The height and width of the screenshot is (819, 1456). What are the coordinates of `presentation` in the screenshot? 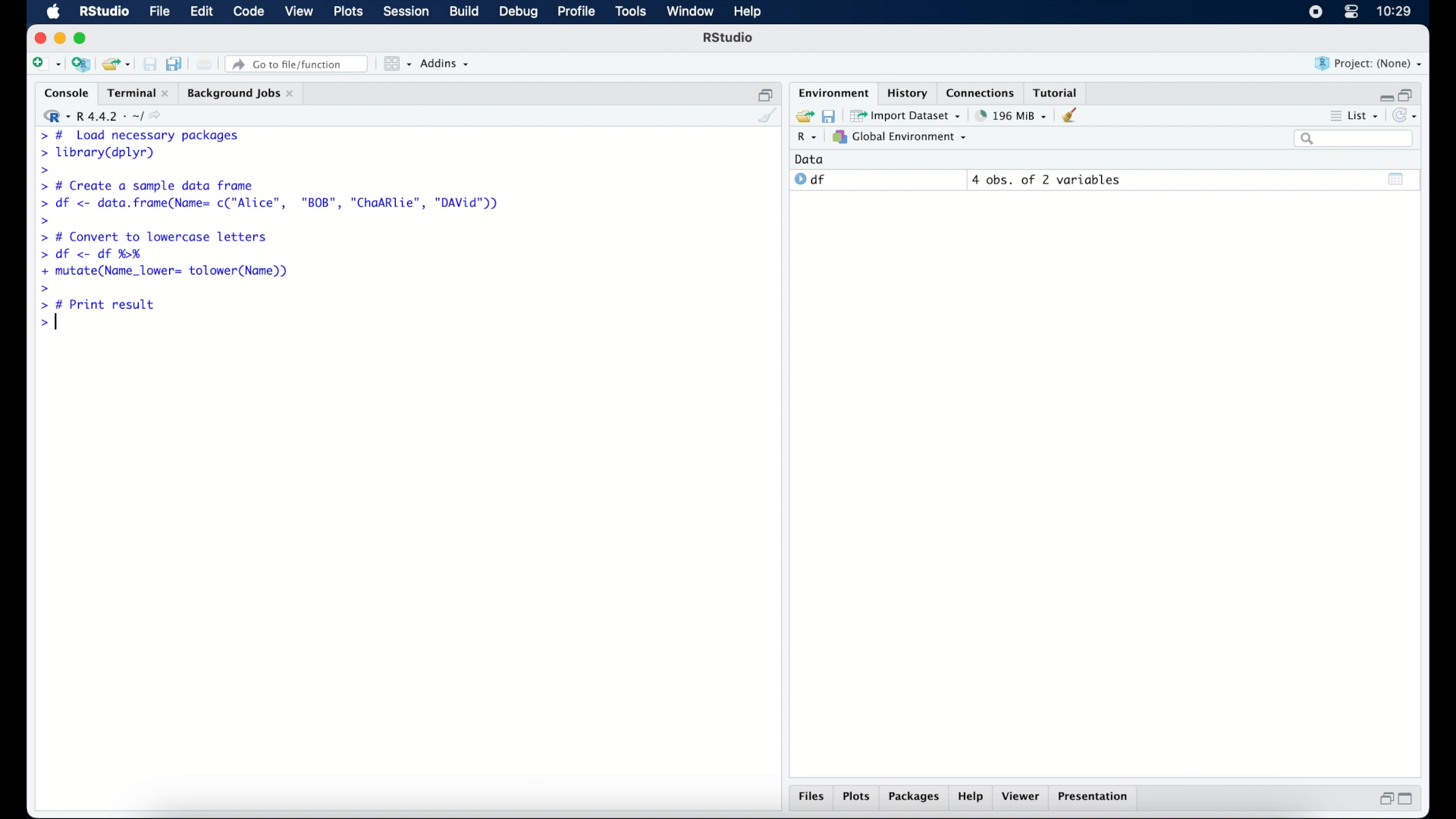 It's located at (1095, 798).